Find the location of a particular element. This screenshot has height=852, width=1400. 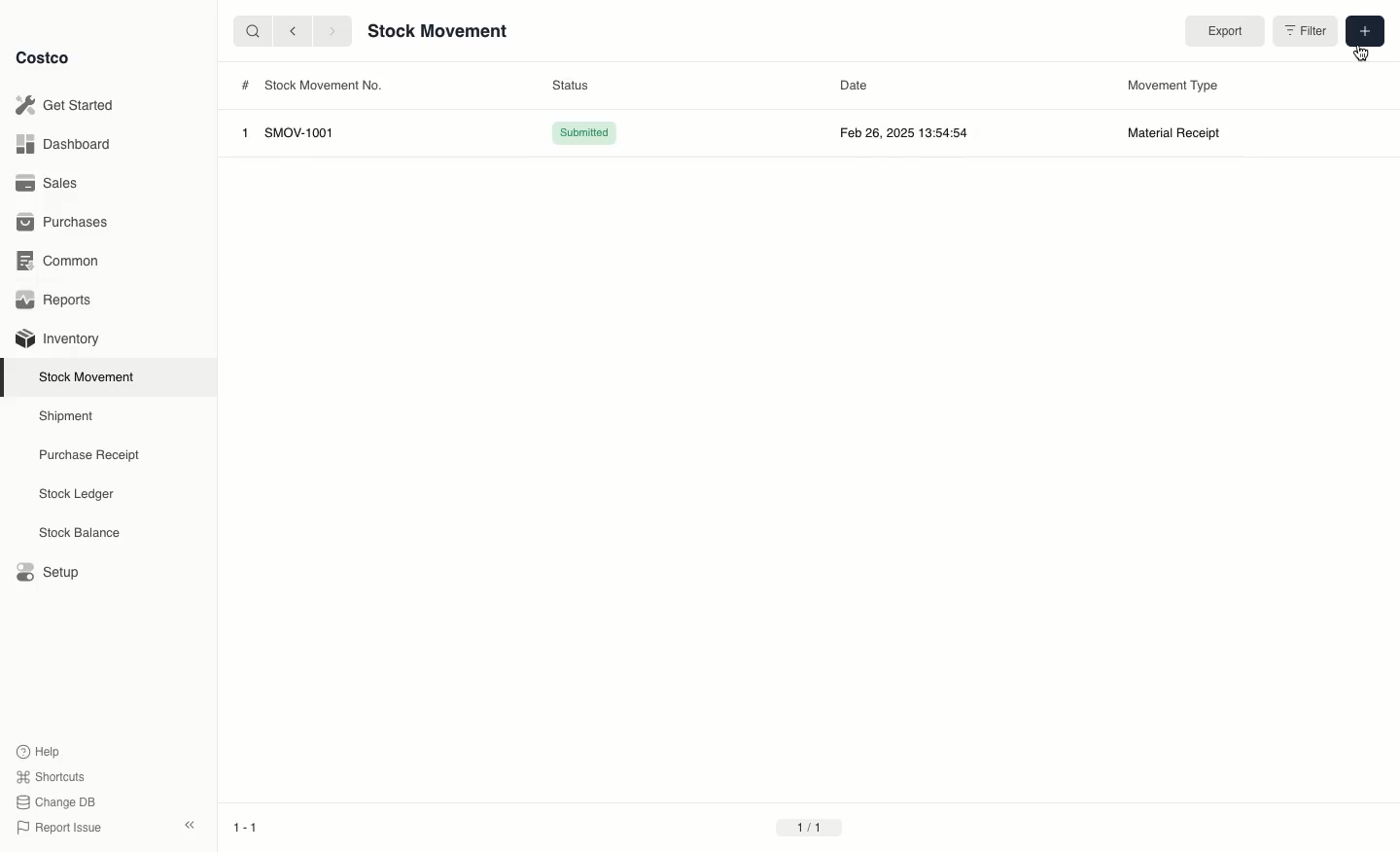

Feb 26, 2025 13:54:54 is located at coordinates (901, 133).